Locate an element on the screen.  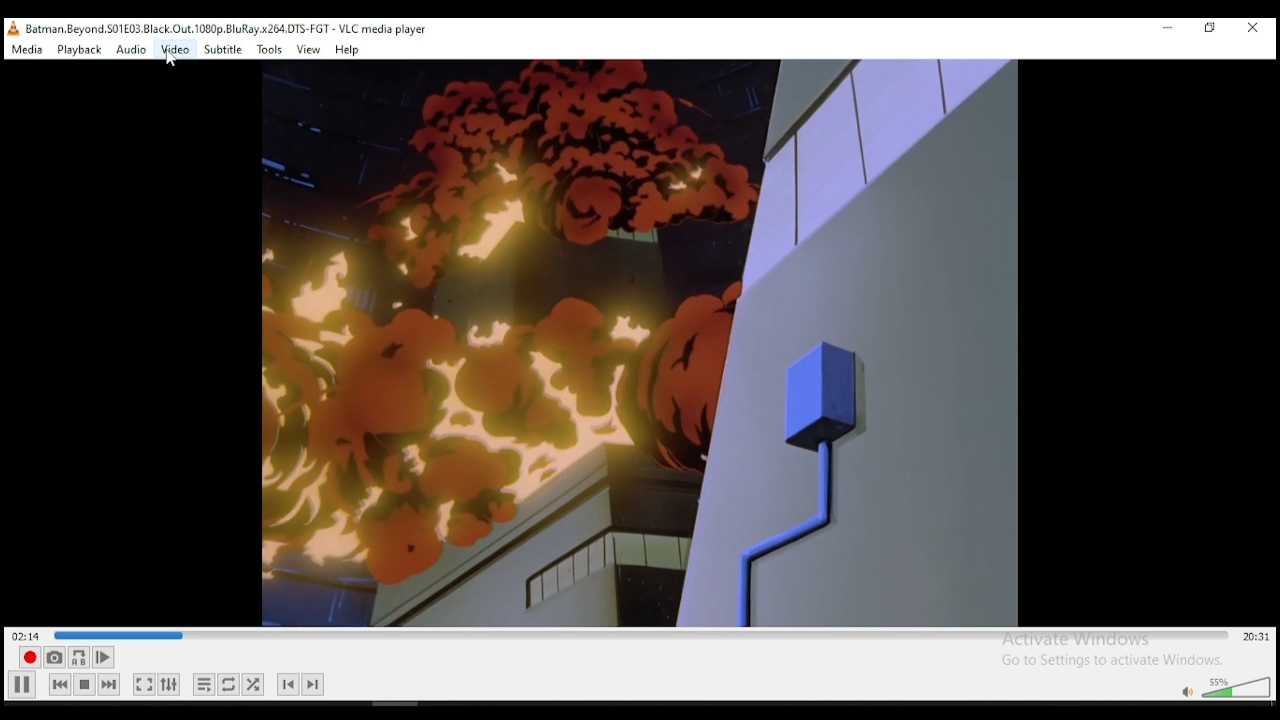
playback is located at coordinates (80, 50).